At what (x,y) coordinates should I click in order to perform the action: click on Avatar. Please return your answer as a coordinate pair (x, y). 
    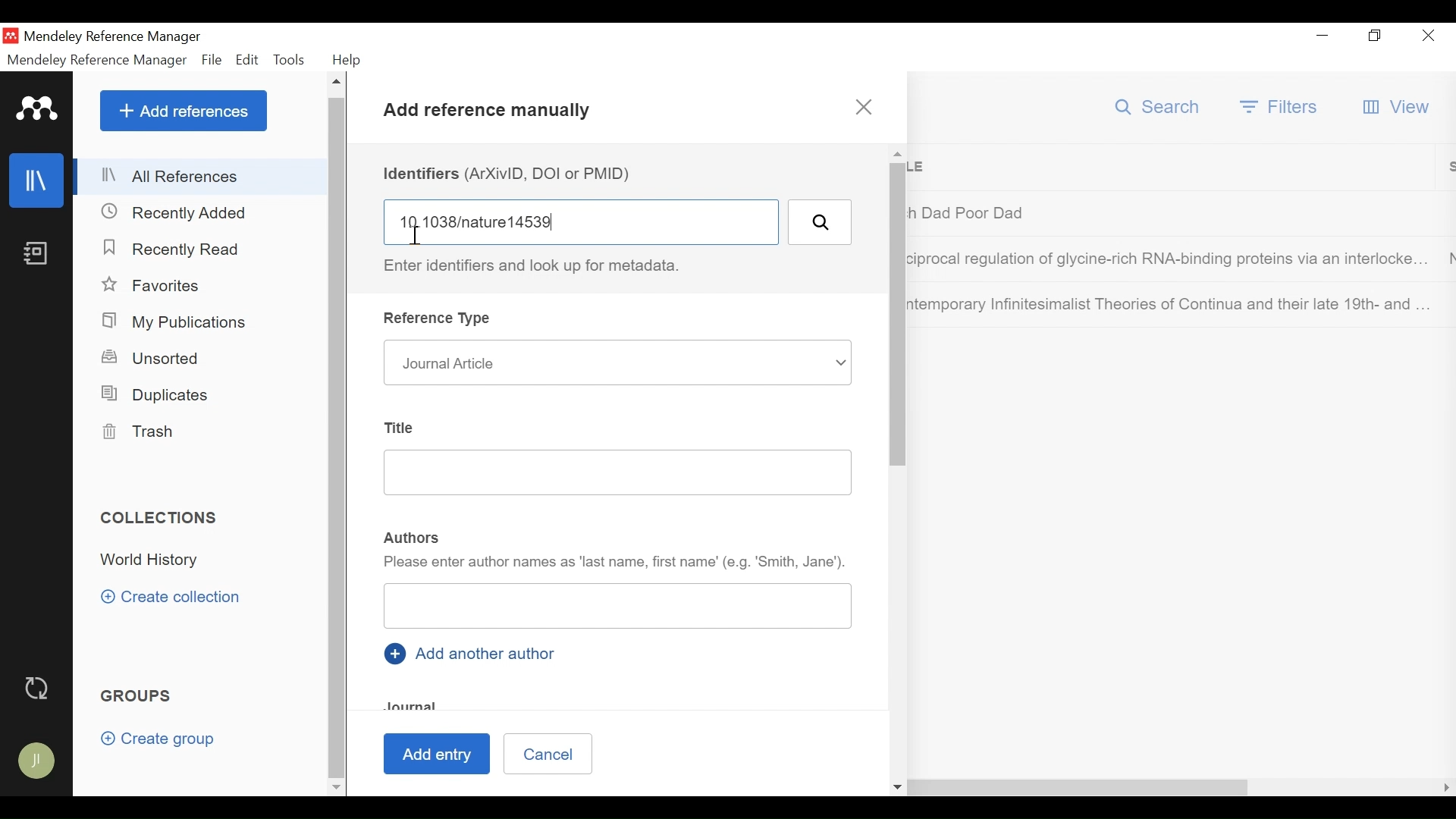
    Looking at the image, I should click on (36, 761).